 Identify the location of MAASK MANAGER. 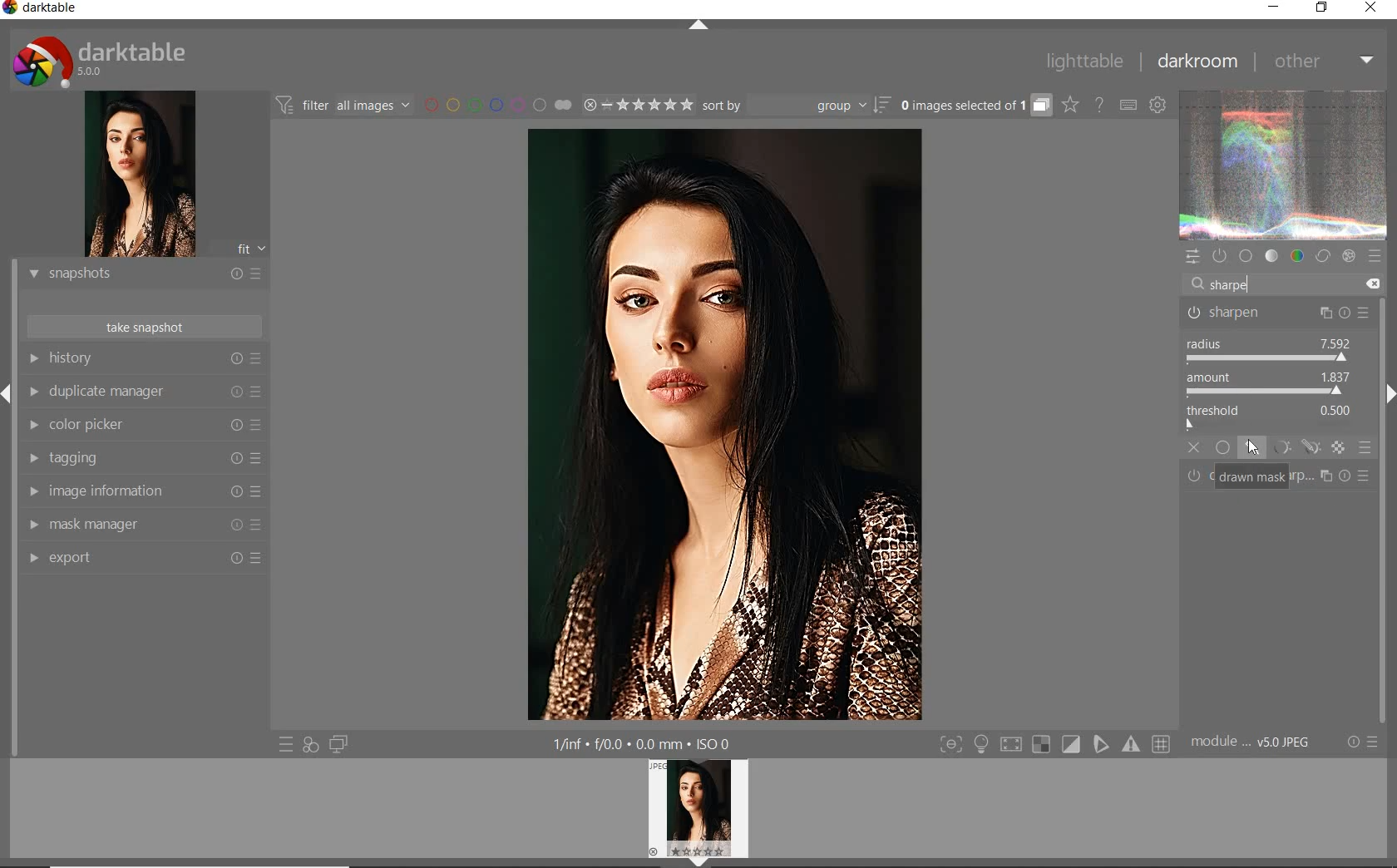
(143, 525).